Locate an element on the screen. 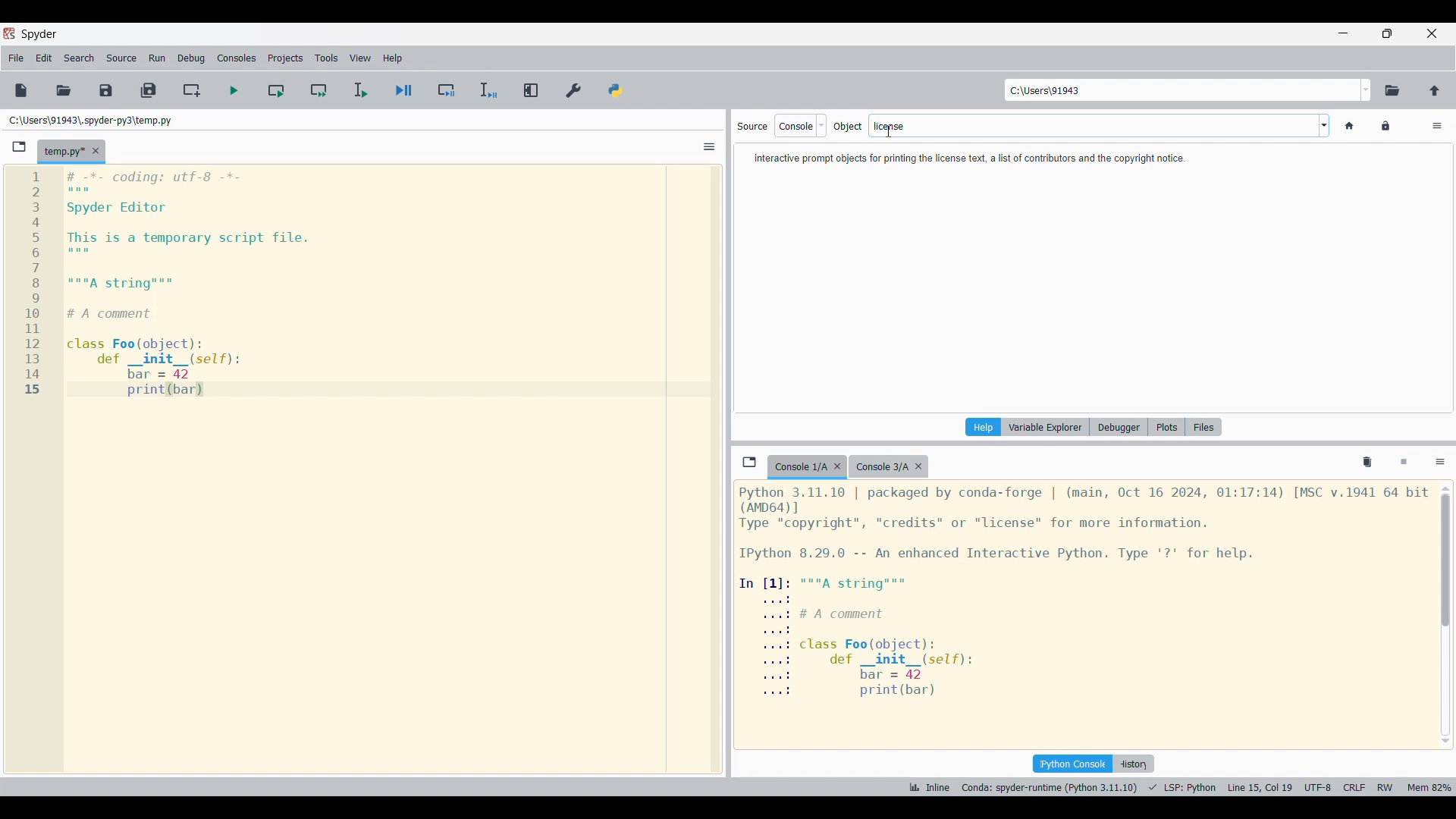 This screenshot has width=1456, height=819. Create new cell at current line is located at coordinates (191, 91).